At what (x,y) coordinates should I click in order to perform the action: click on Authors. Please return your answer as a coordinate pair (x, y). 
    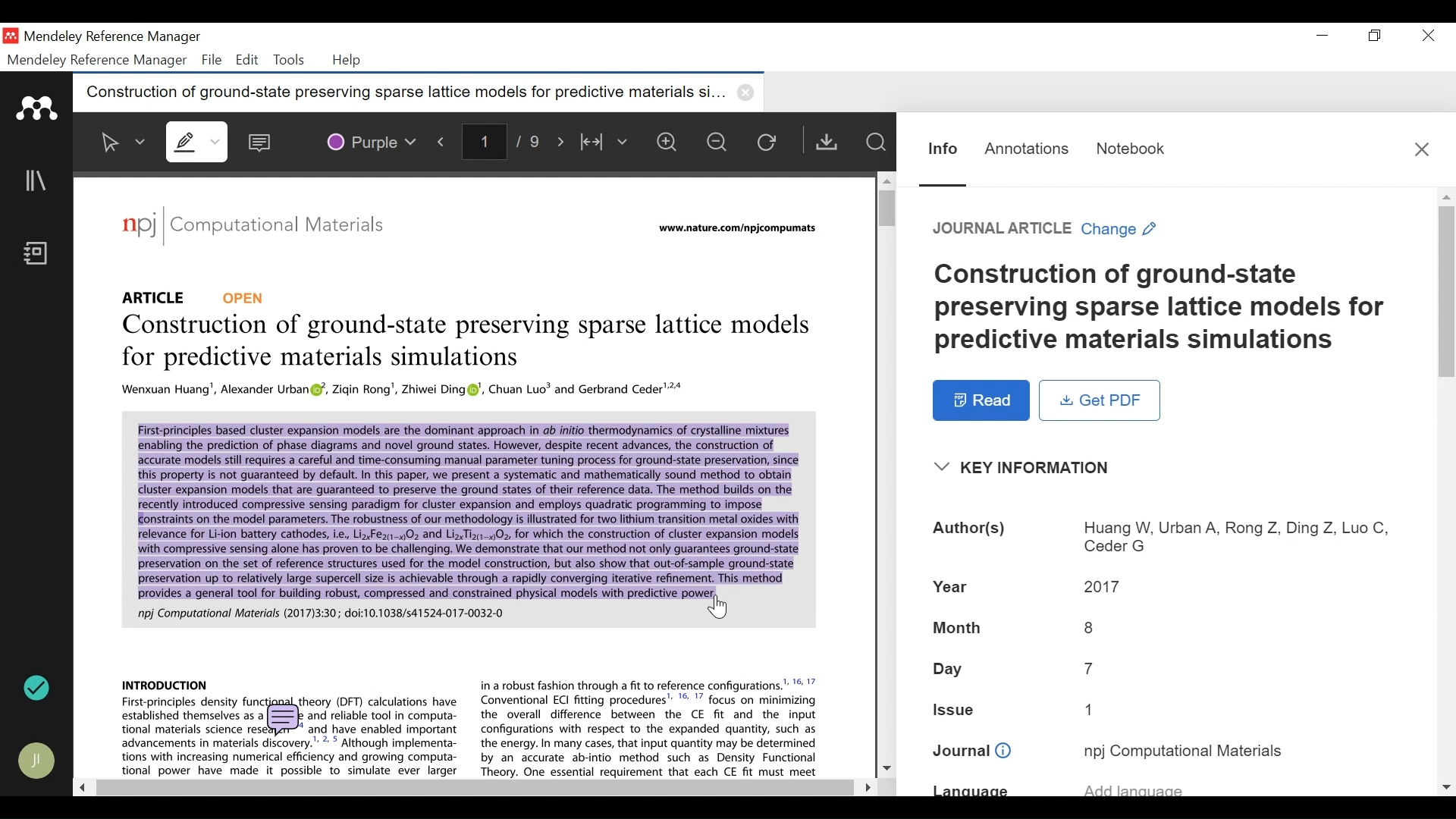
    Looking at the image, I should click on (1235, 538).